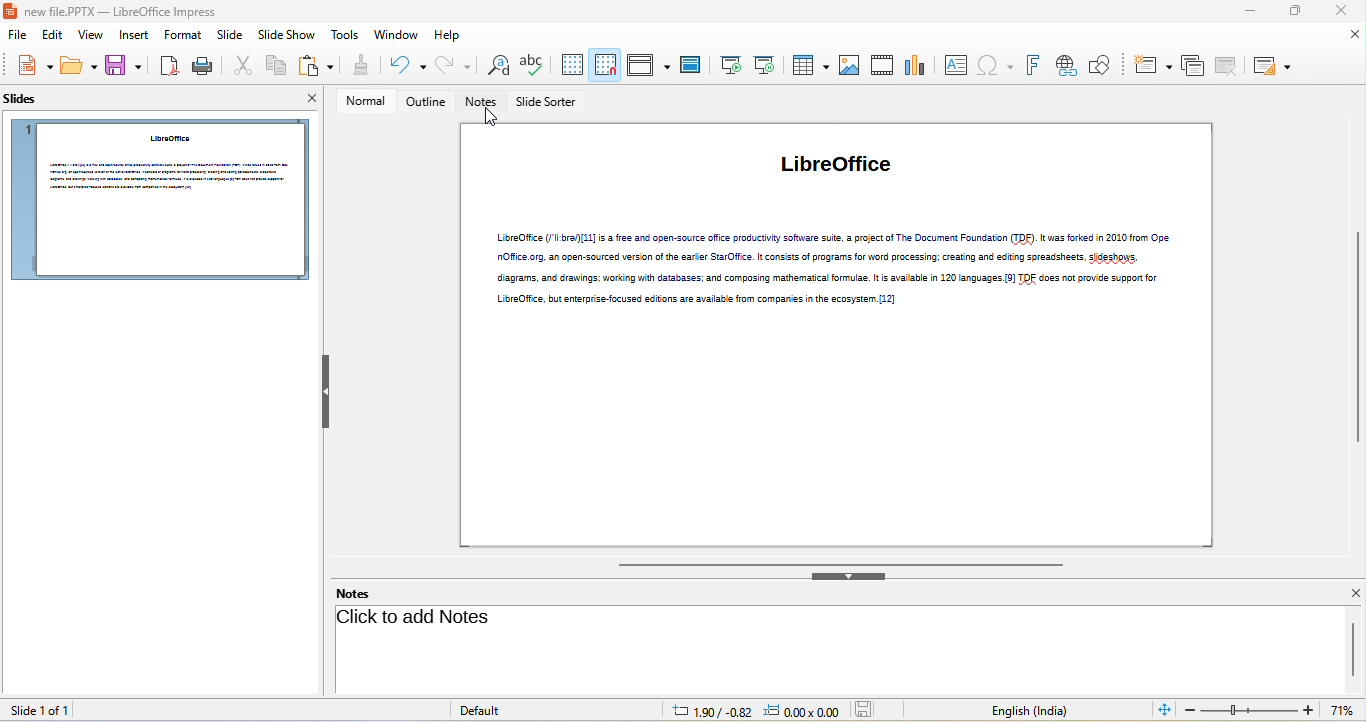 Image resolution: width=1366 pixels, height=722 pixels. I want to click on close, so click(1356, 35).